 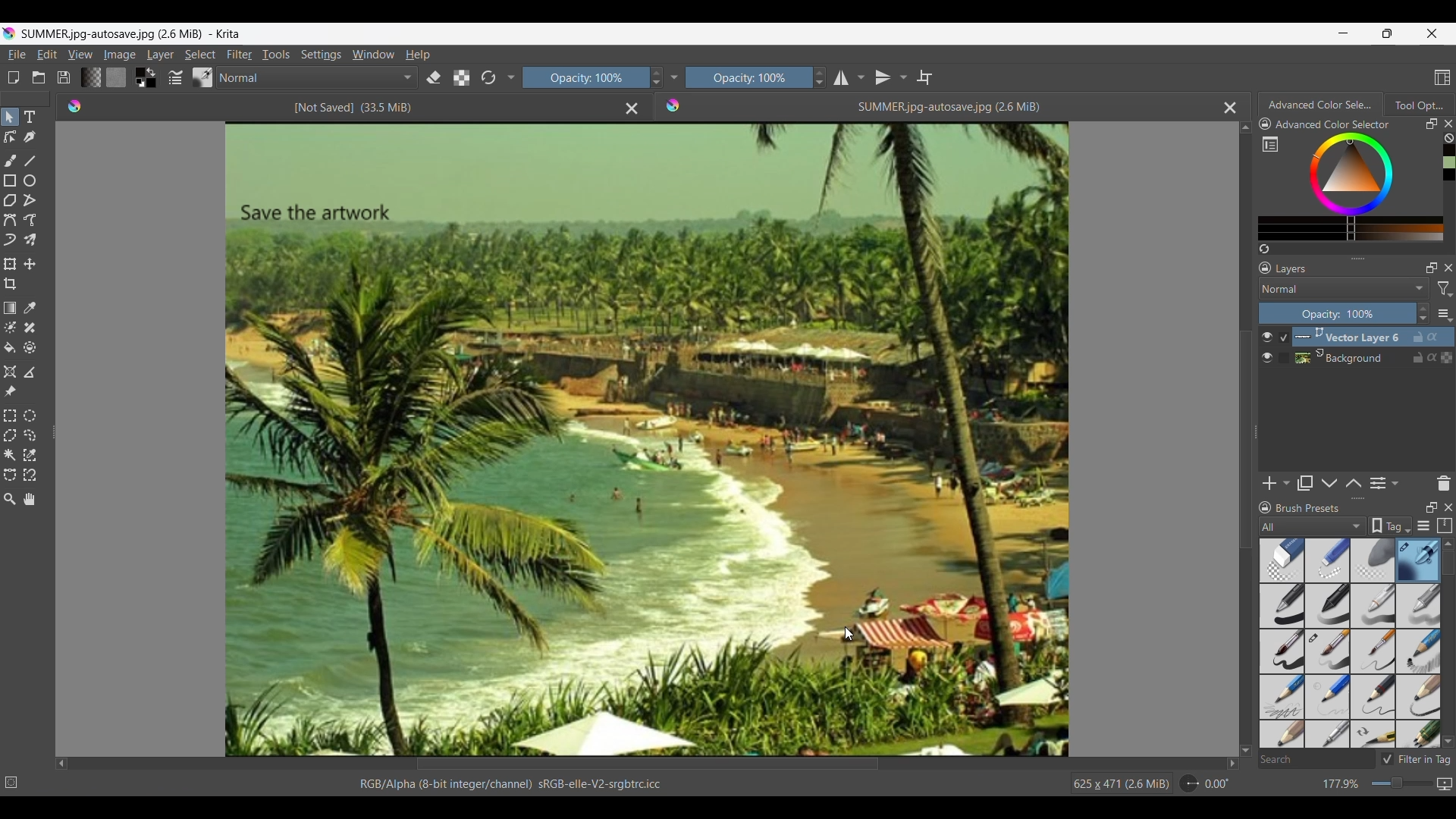 I want to click on Crop image to an area, so click(x=11, y=284).